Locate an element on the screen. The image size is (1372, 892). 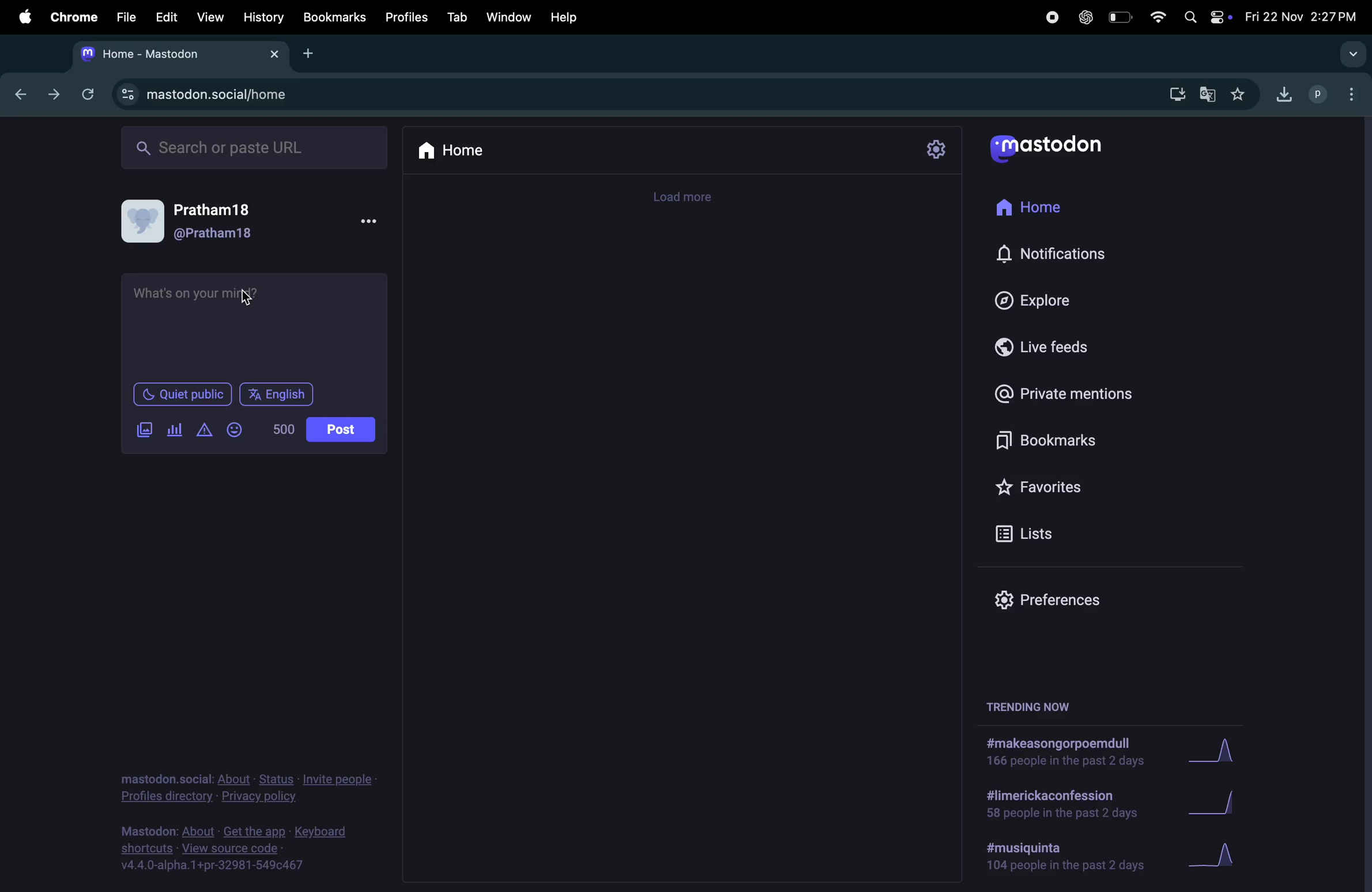
favourites is located at coordinates (1239, 95).